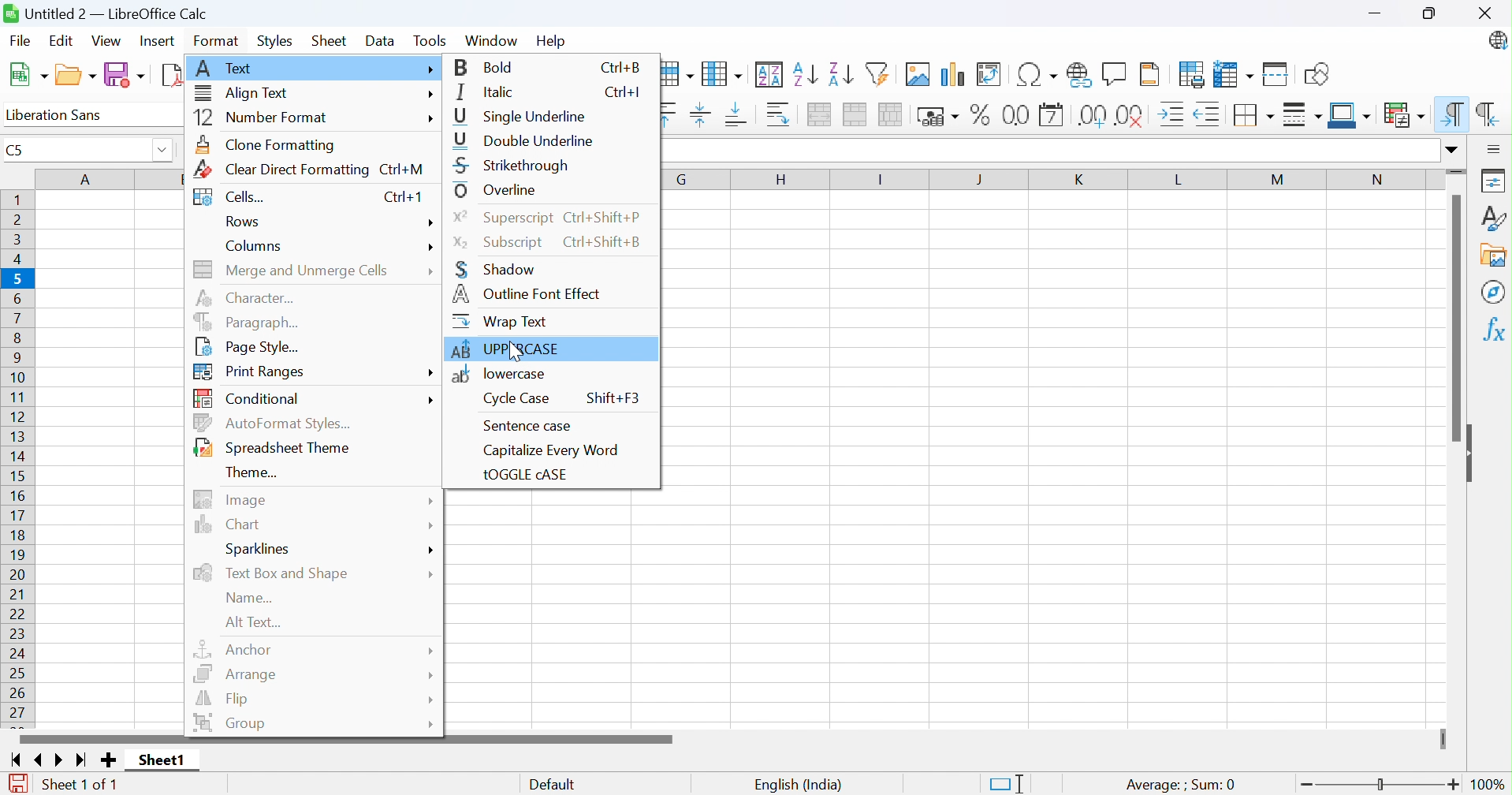 The height and width of the screenshot is (795, 1512). What do you see at coordinates (243, 92) in the screenshot?
I see `Align text` at bounding box center [243, 92].